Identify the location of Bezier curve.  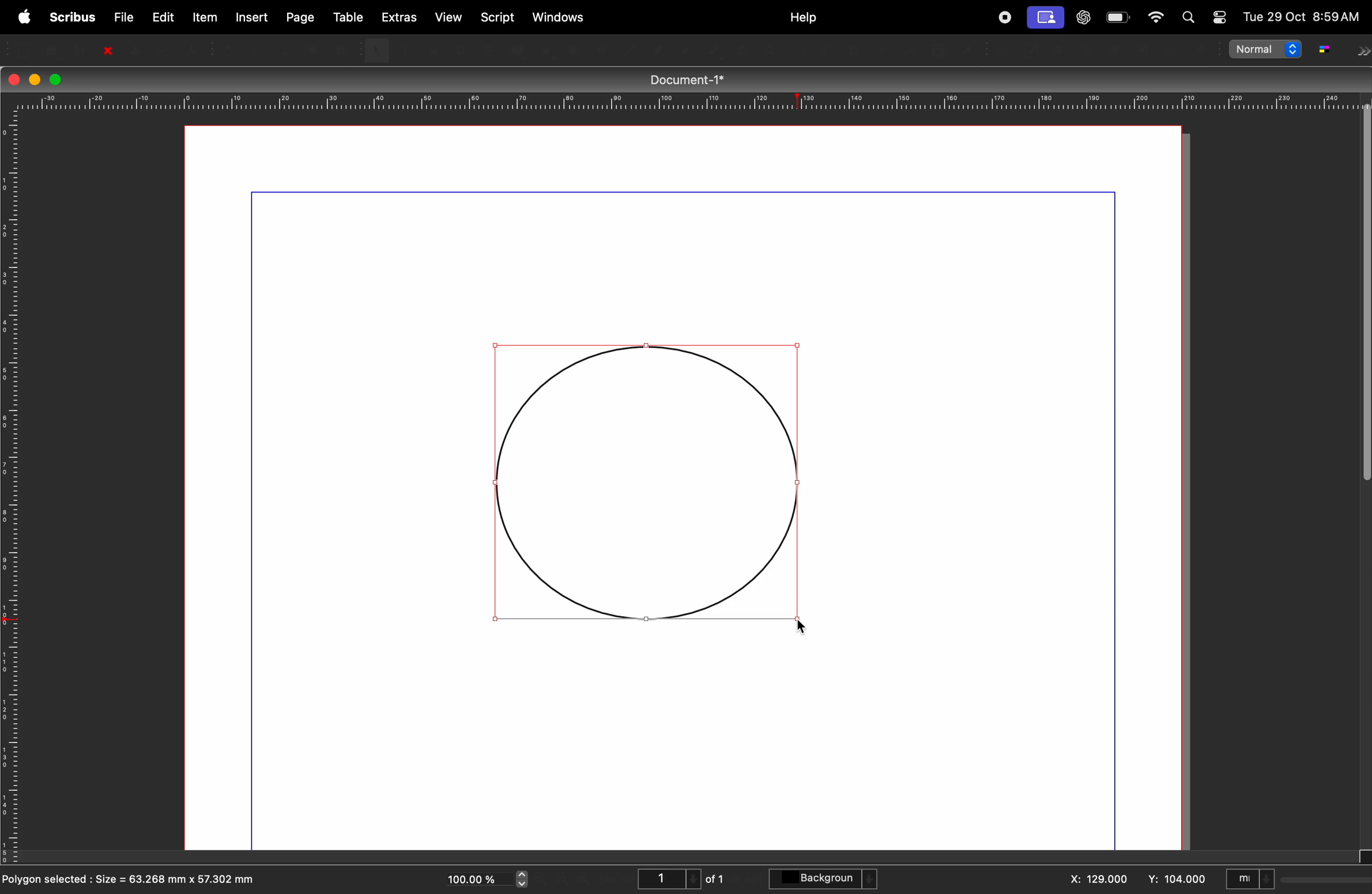
(687, 50).